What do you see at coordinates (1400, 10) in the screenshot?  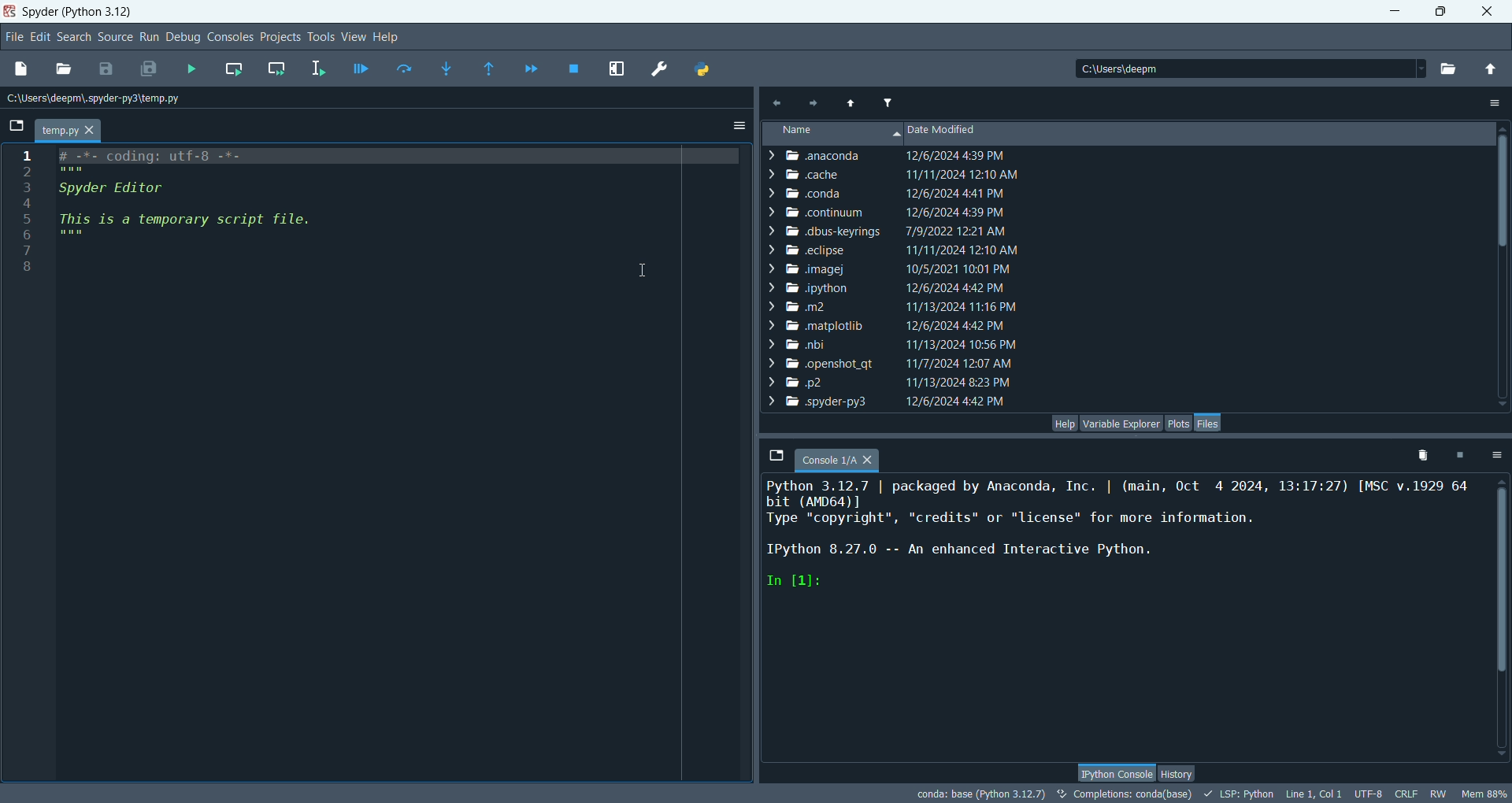 I see `minimize` at bounding box center [1400, 10].